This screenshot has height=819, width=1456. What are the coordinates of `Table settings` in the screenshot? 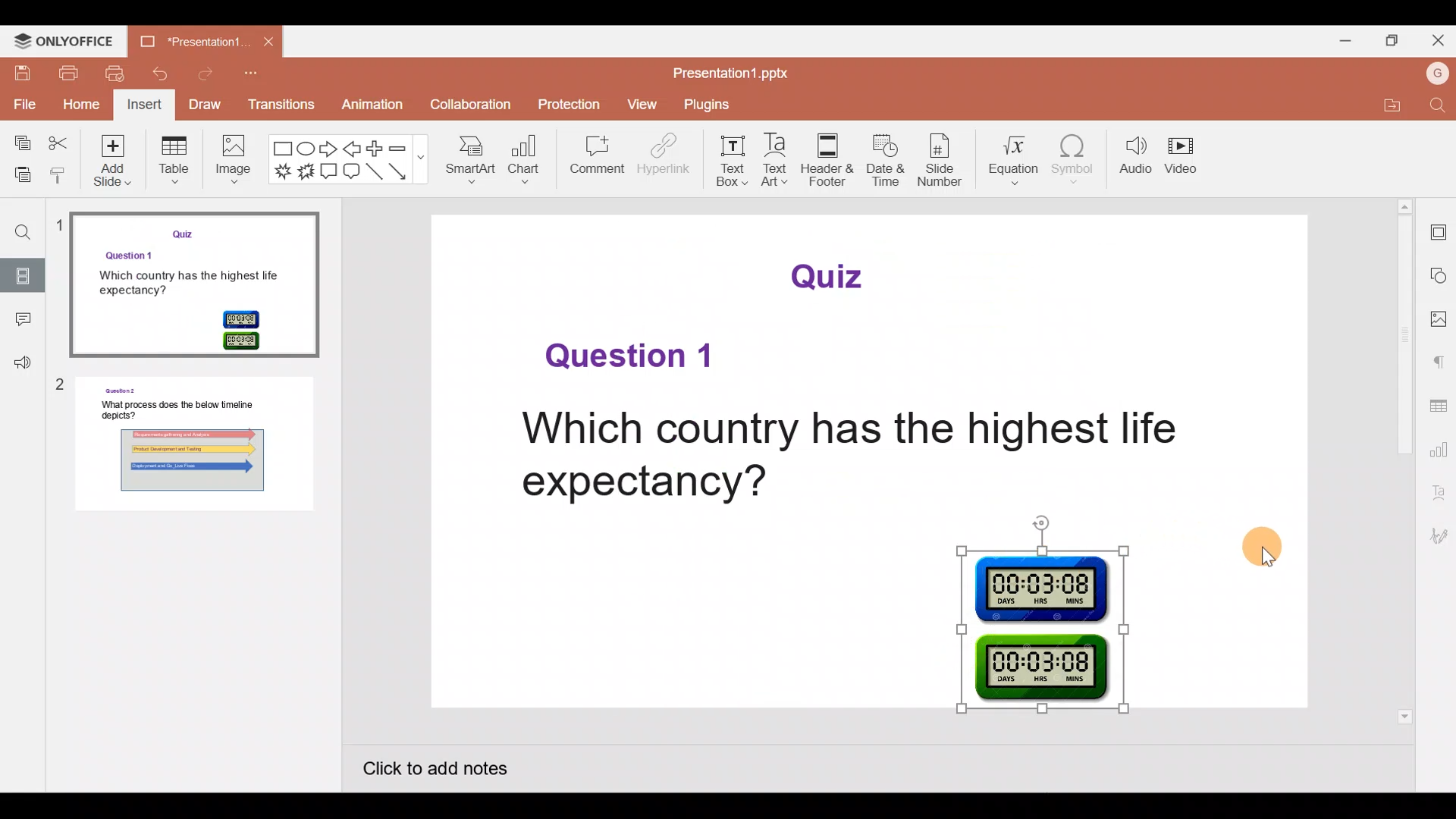 It's located at (1438, 408).